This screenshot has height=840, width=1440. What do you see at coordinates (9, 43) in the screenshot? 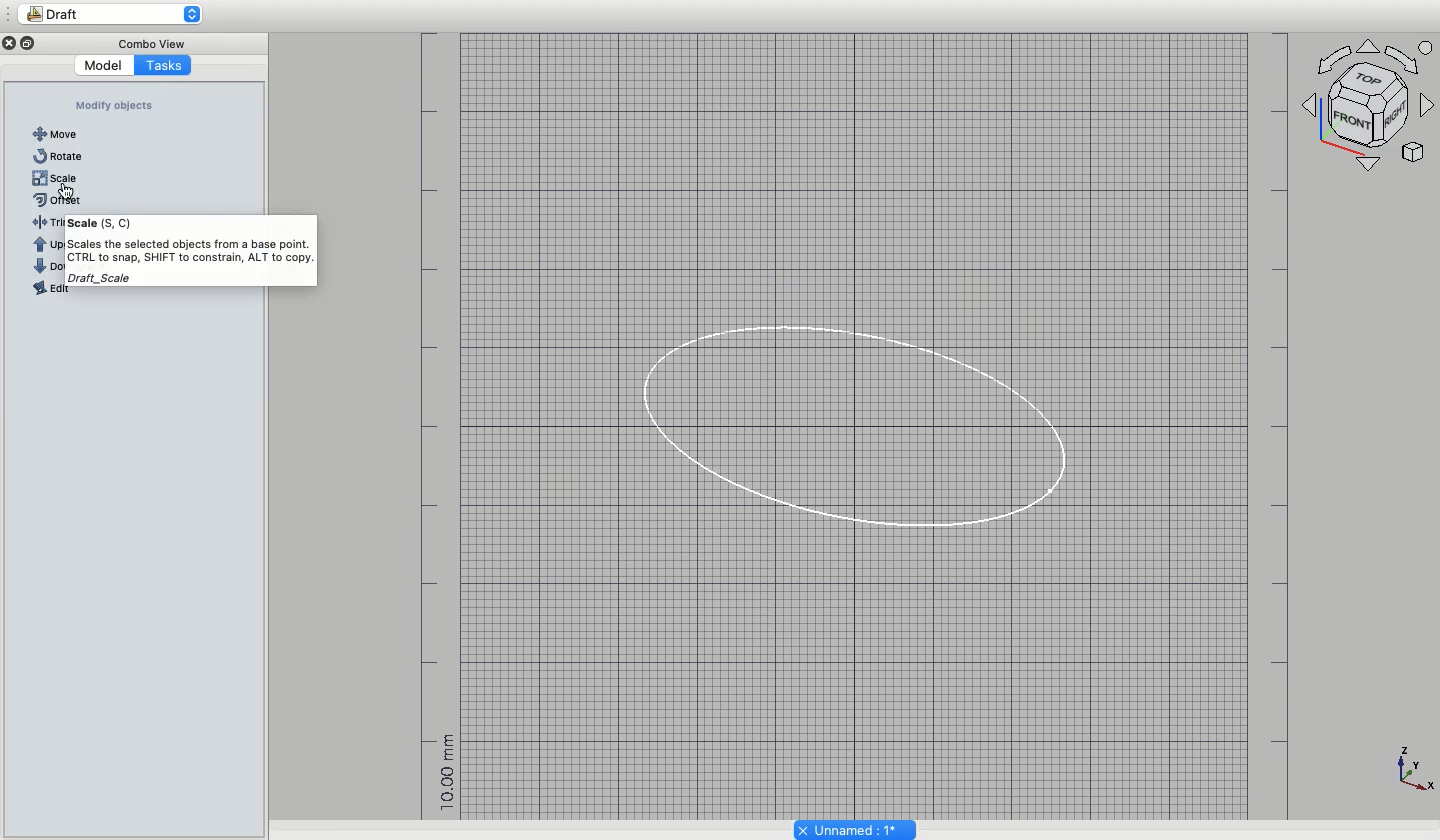
I see `close` at bounding box center [9, 43].